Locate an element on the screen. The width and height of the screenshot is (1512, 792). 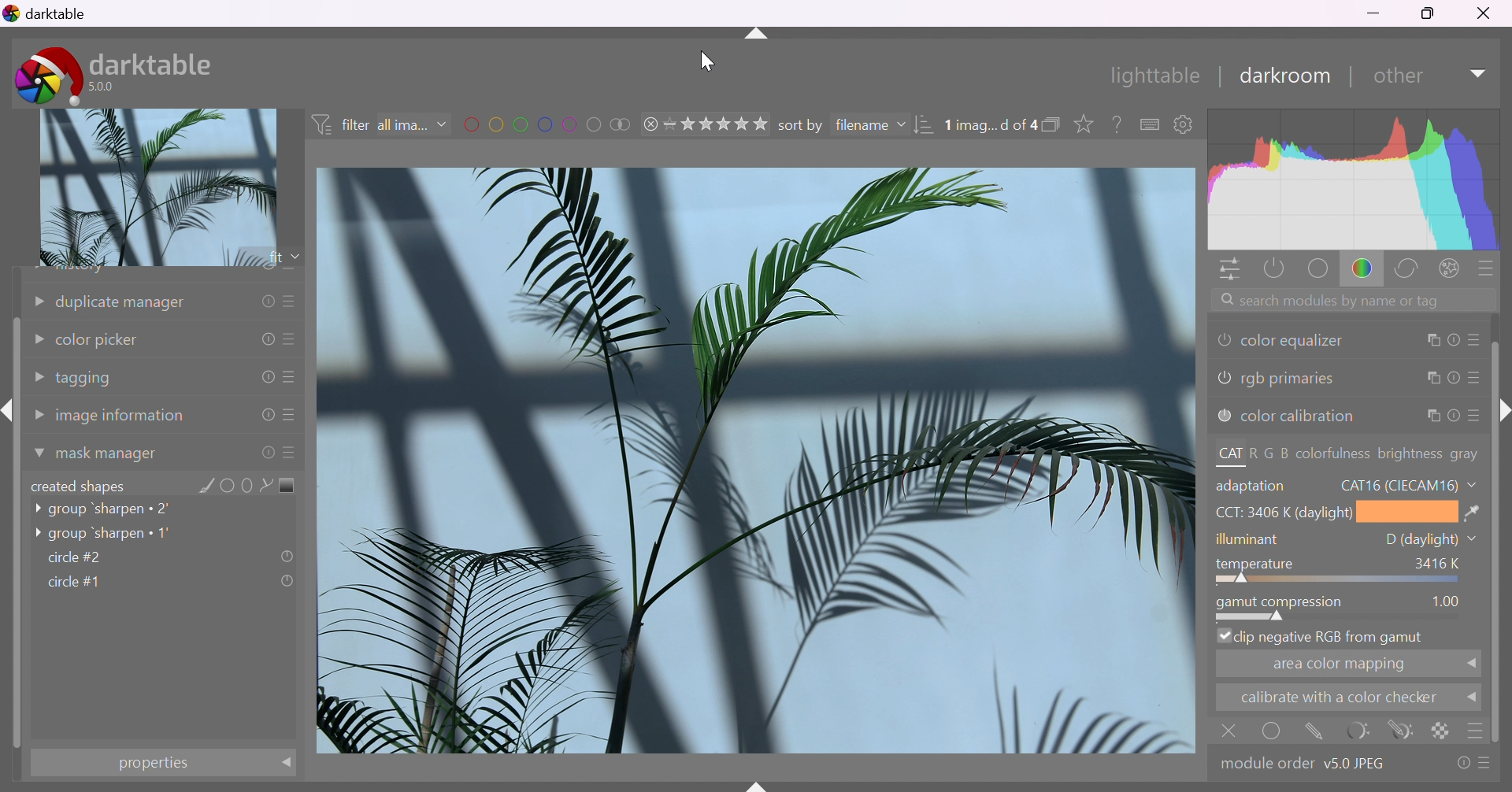
sort by is located at coordinates (799, 125).